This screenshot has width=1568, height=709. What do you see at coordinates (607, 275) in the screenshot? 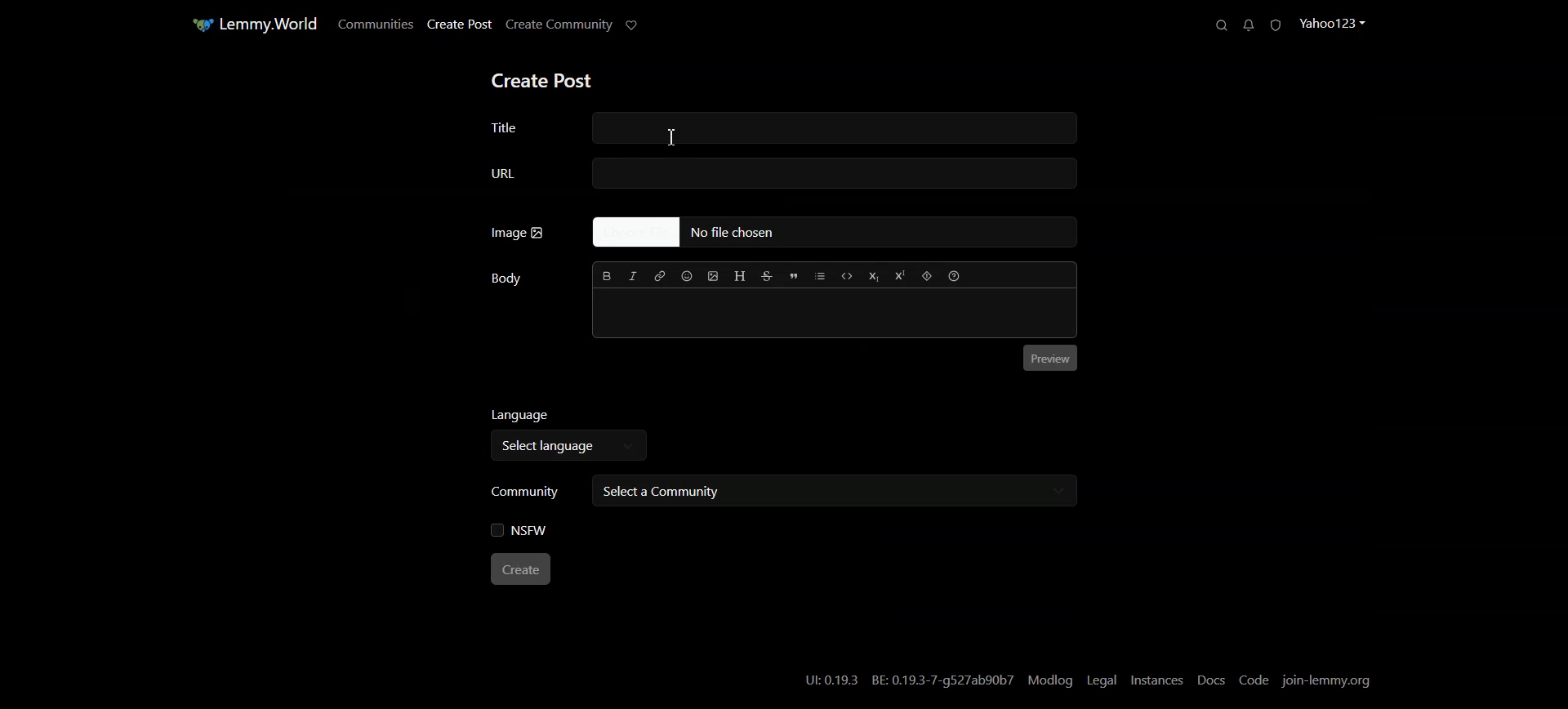
I see `Bold ` at bounding box center [607, 275].